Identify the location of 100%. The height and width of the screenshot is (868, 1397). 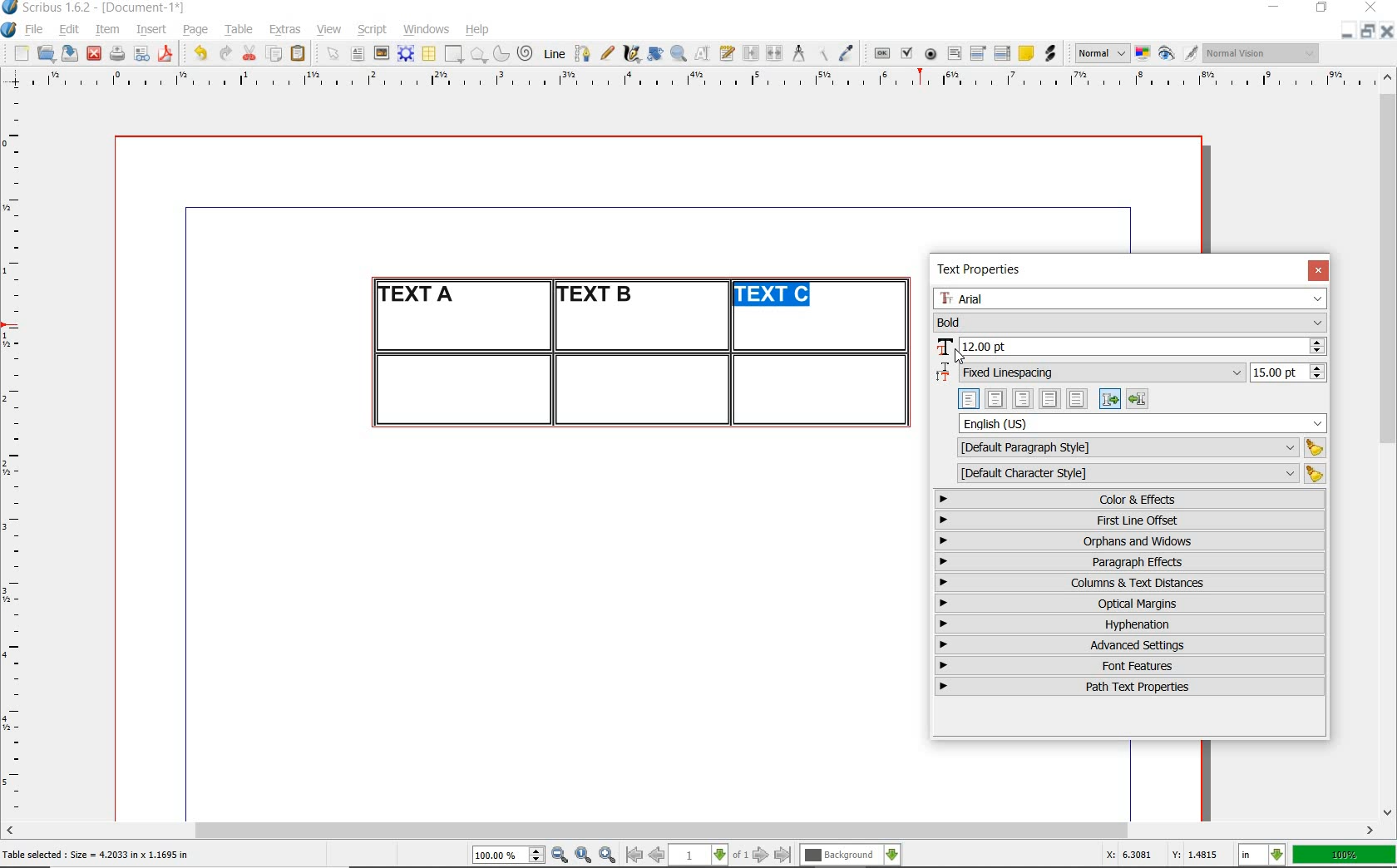
(1345, 855).